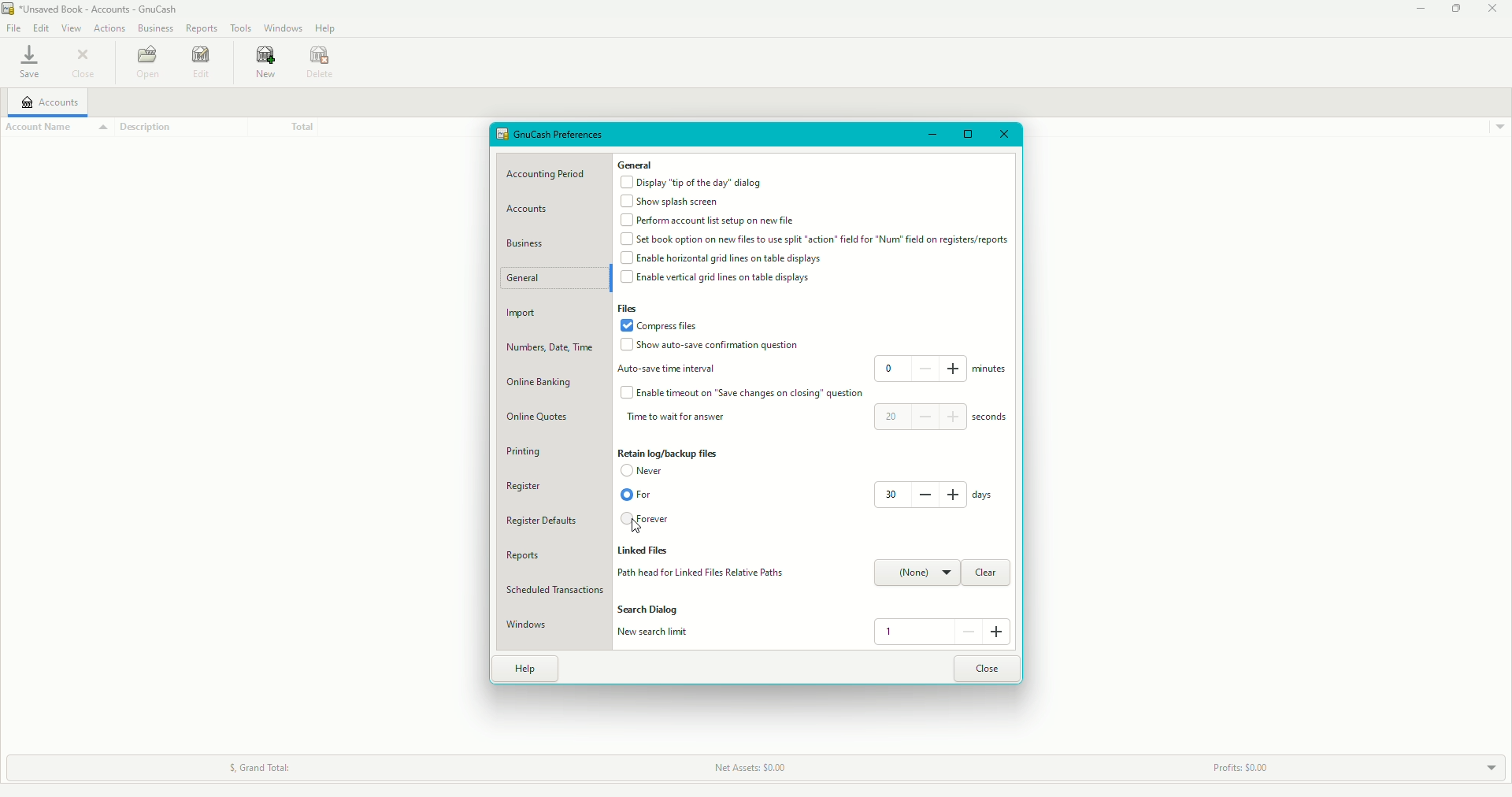  Describe the element at coordinates (279, 126) in the screenshot. I see `Total` at that location.